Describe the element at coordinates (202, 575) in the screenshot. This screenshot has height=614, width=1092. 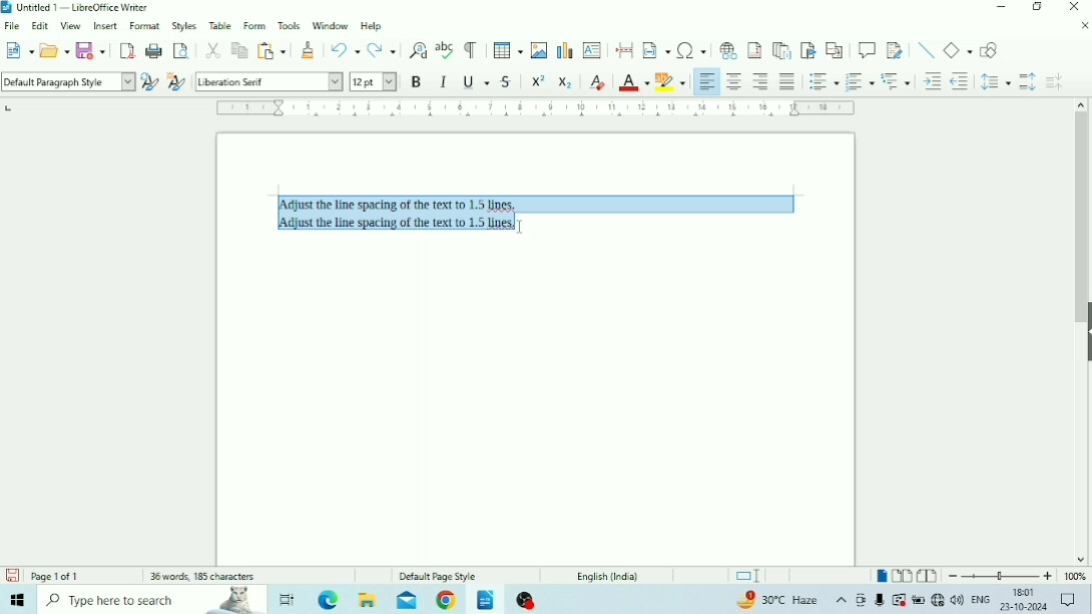
I see `Number of words and characters` at that location.